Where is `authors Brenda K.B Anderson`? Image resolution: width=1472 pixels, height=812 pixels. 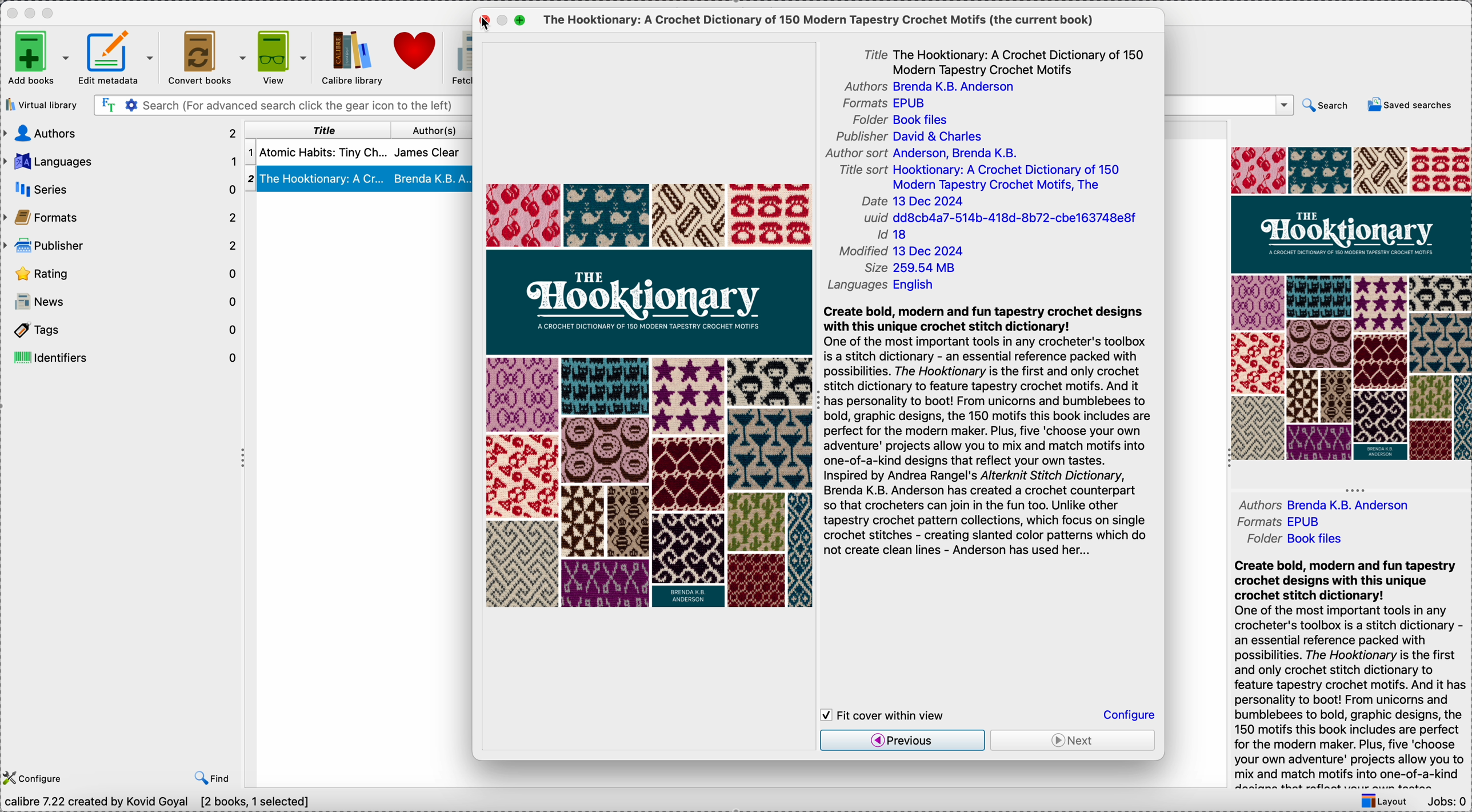
authors Brenda K.B Anderson is located at coordinates (937, 87).